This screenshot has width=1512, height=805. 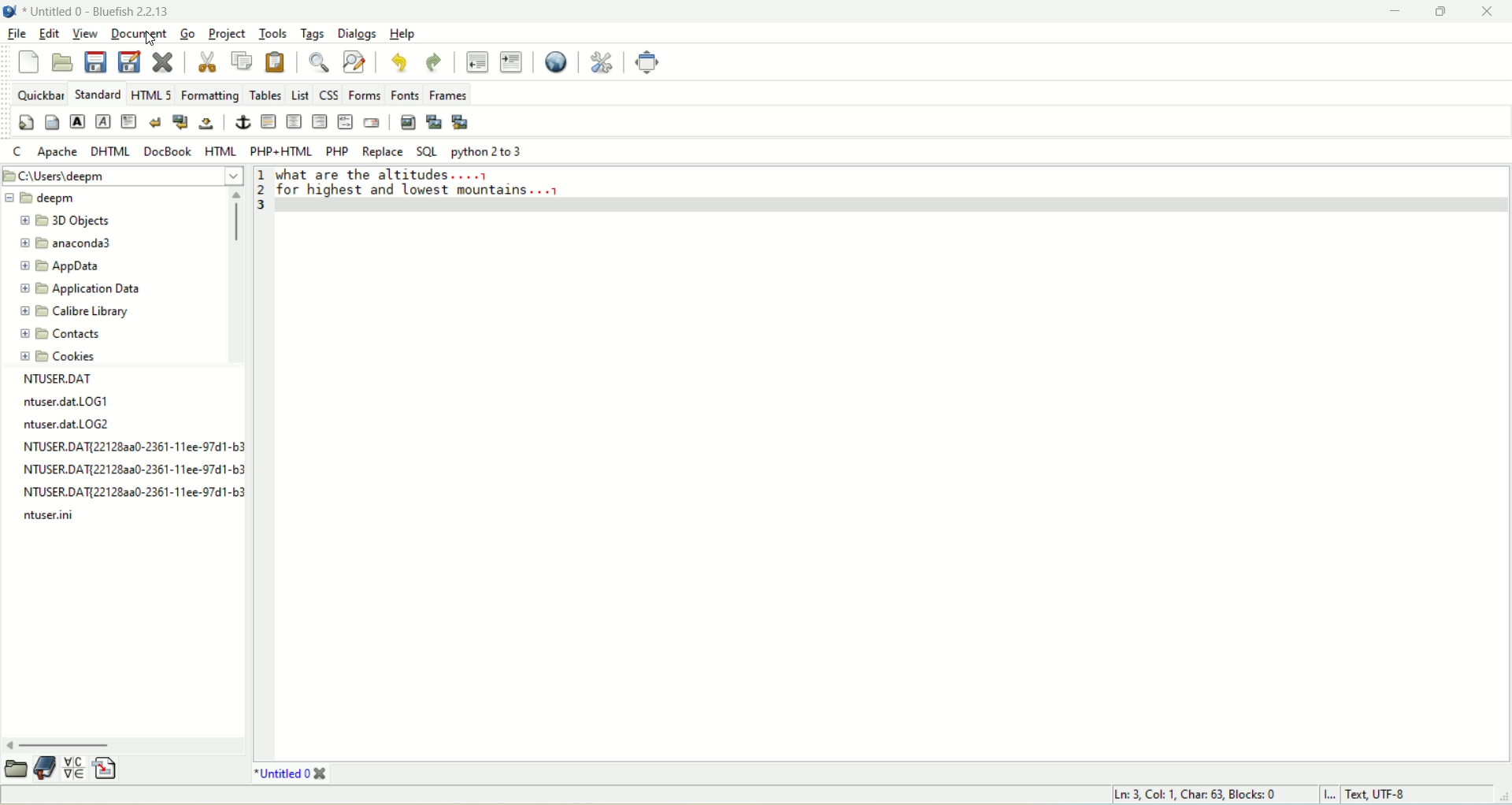 What do you see at coordinates (17, 150) in the screenshot?
I see `C` at bounding box center [17, 150].